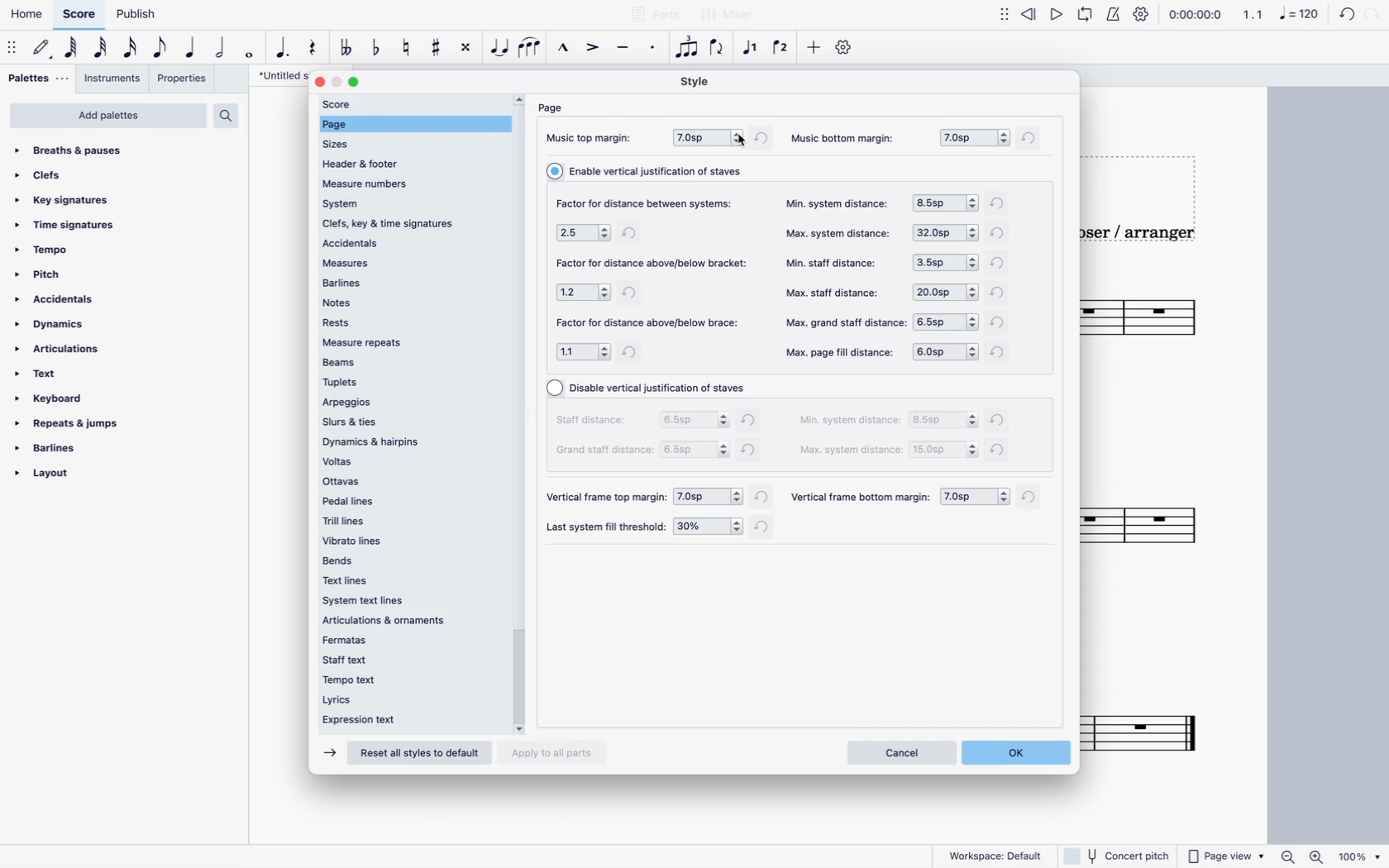 The height and width of the screenshot is (868, 1389). What do you see at coordinates (1320, 855) in the screenshot?
I see `zoom in` at bounding box center [1320, 855].